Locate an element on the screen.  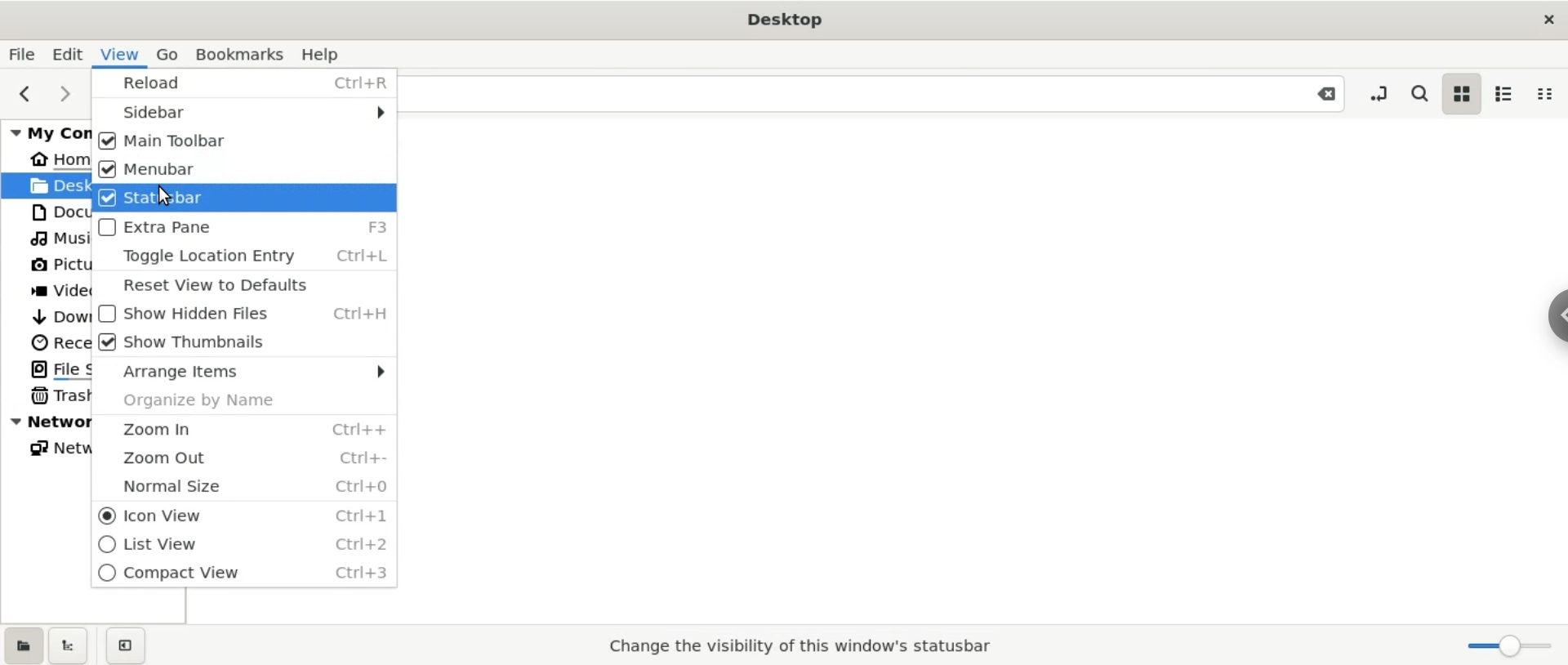
Reset View to Defaults is located at coordinates (242, 285).